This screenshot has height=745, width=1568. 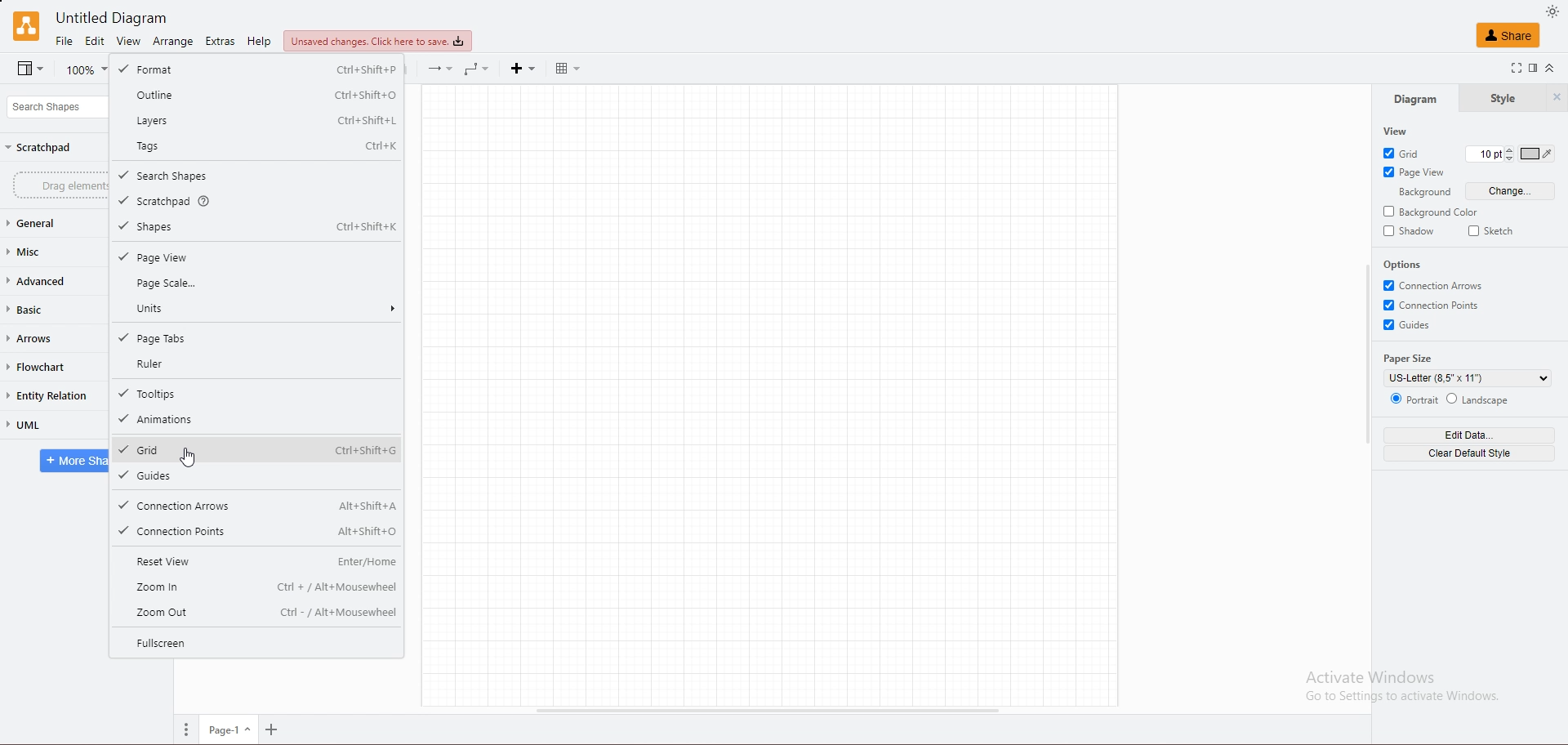 I want to click on background color, so click(x=1433, y=212).